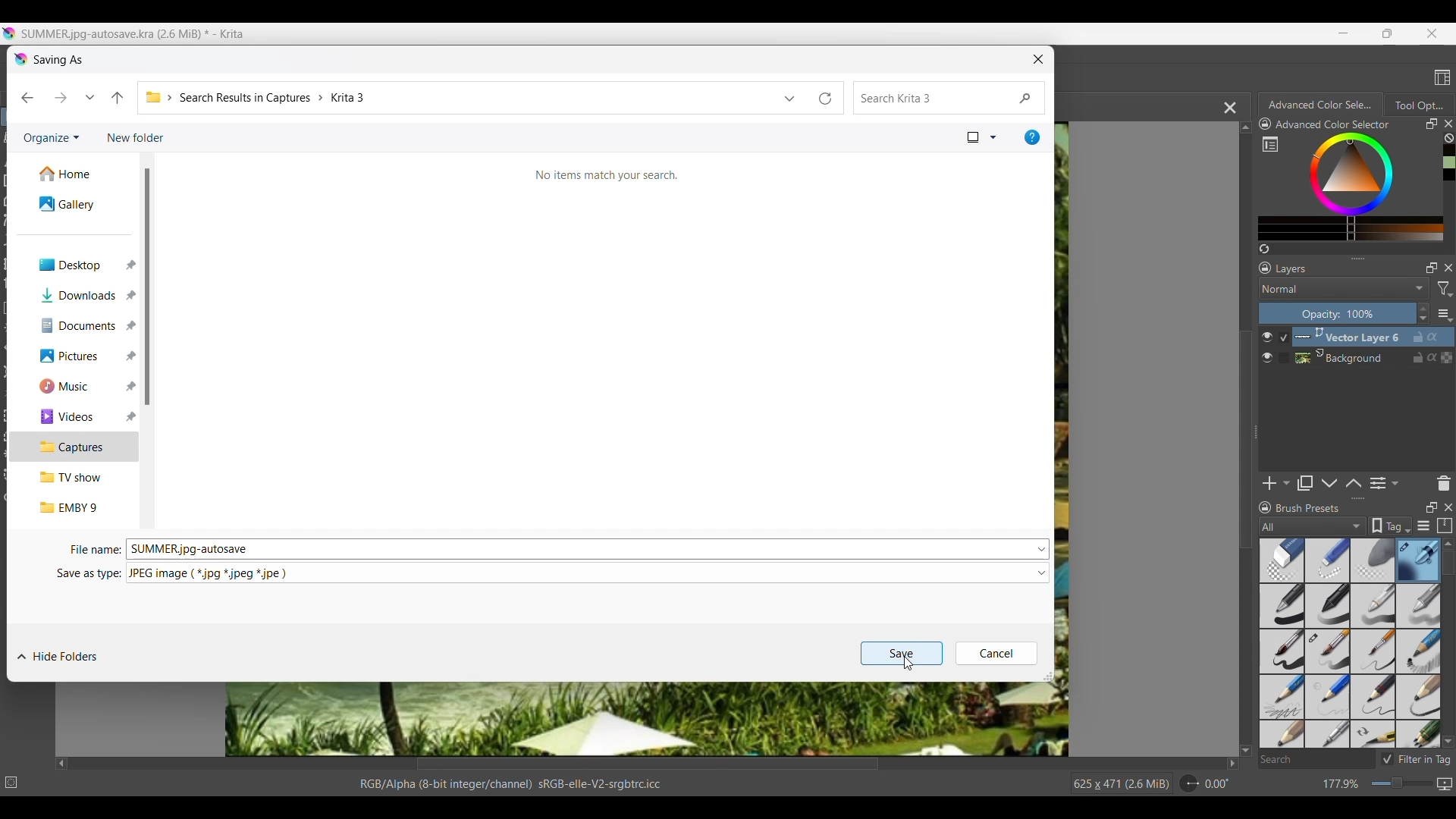 Image resolution: width=1456 pixels, height=819 pixels. Describe the element at coordinates (1345, 288) in the screenshot. I see `Mode options` at that location.